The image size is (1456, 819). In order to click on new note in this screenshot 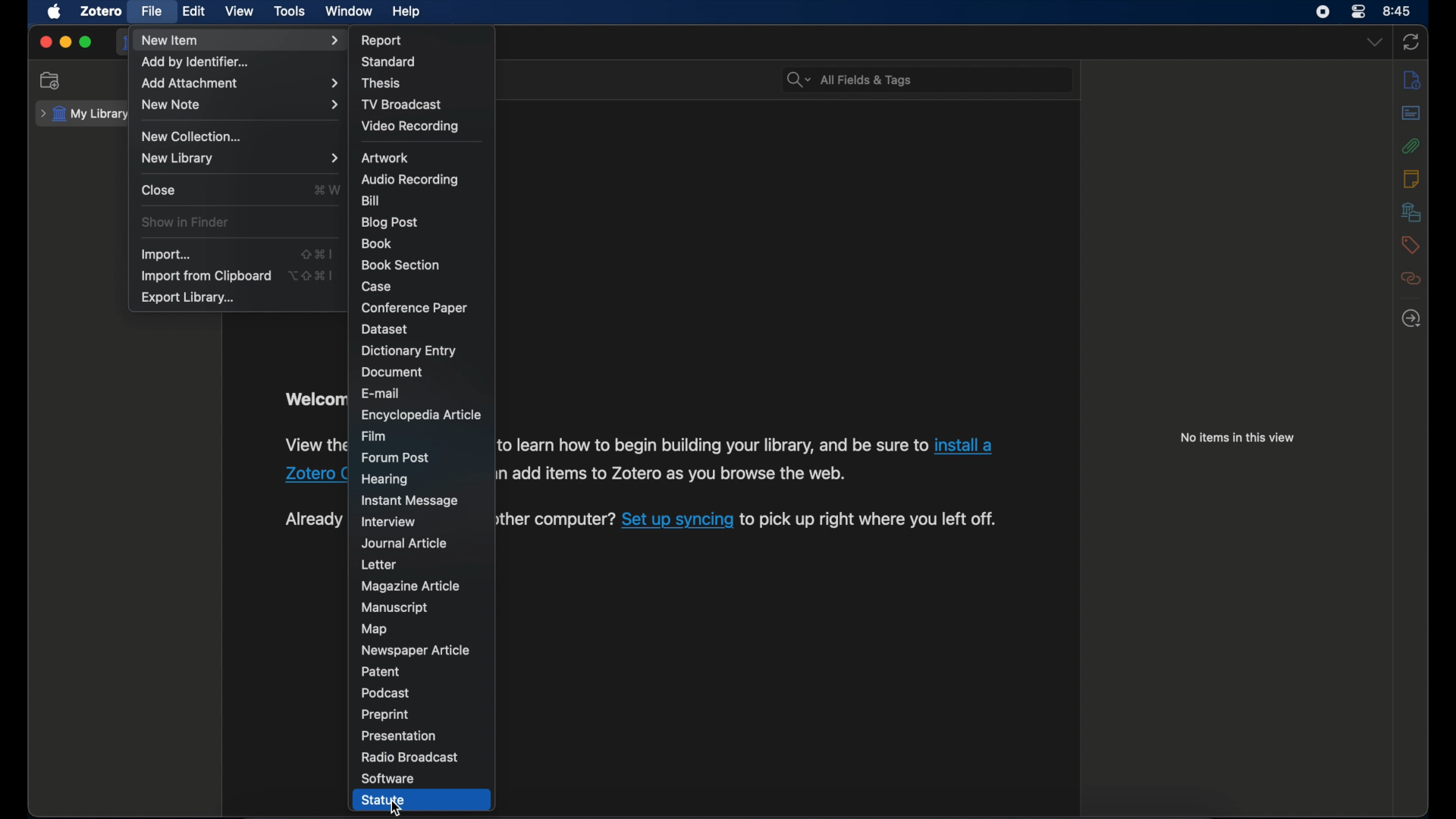, I will do `click(241, 105)`.